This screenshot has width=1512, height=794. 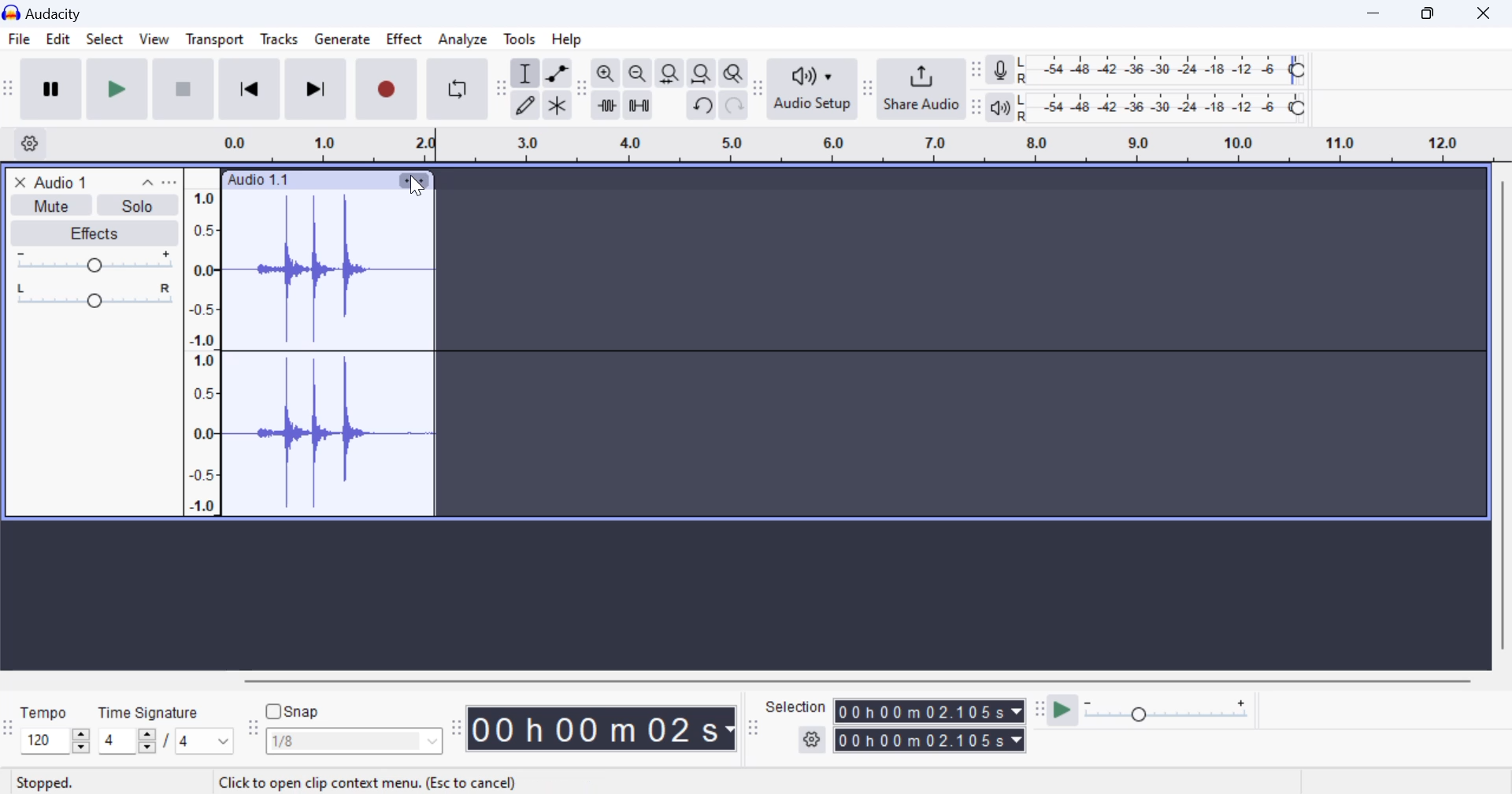 What do you see at coordinates (259, 180) in the screenshot?
I see `Clip Label` at bounding box center [259, 180].